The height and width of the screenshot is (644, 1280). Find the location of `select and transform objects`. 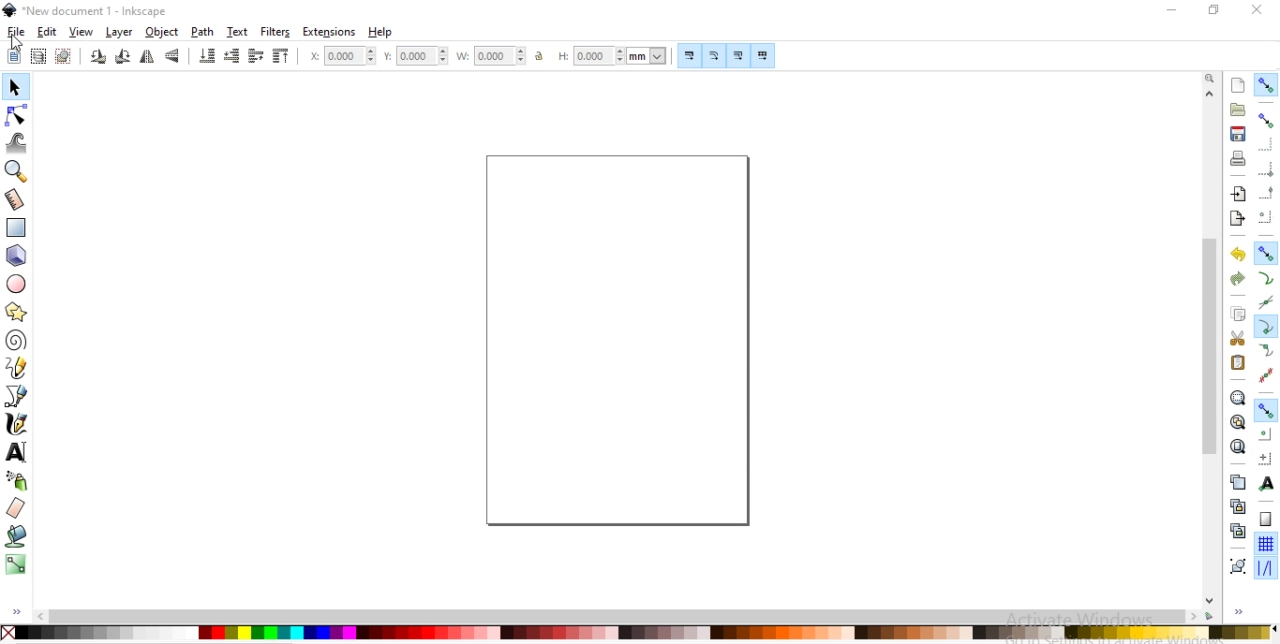

select and transform objects is located at coordinates (14, 88).